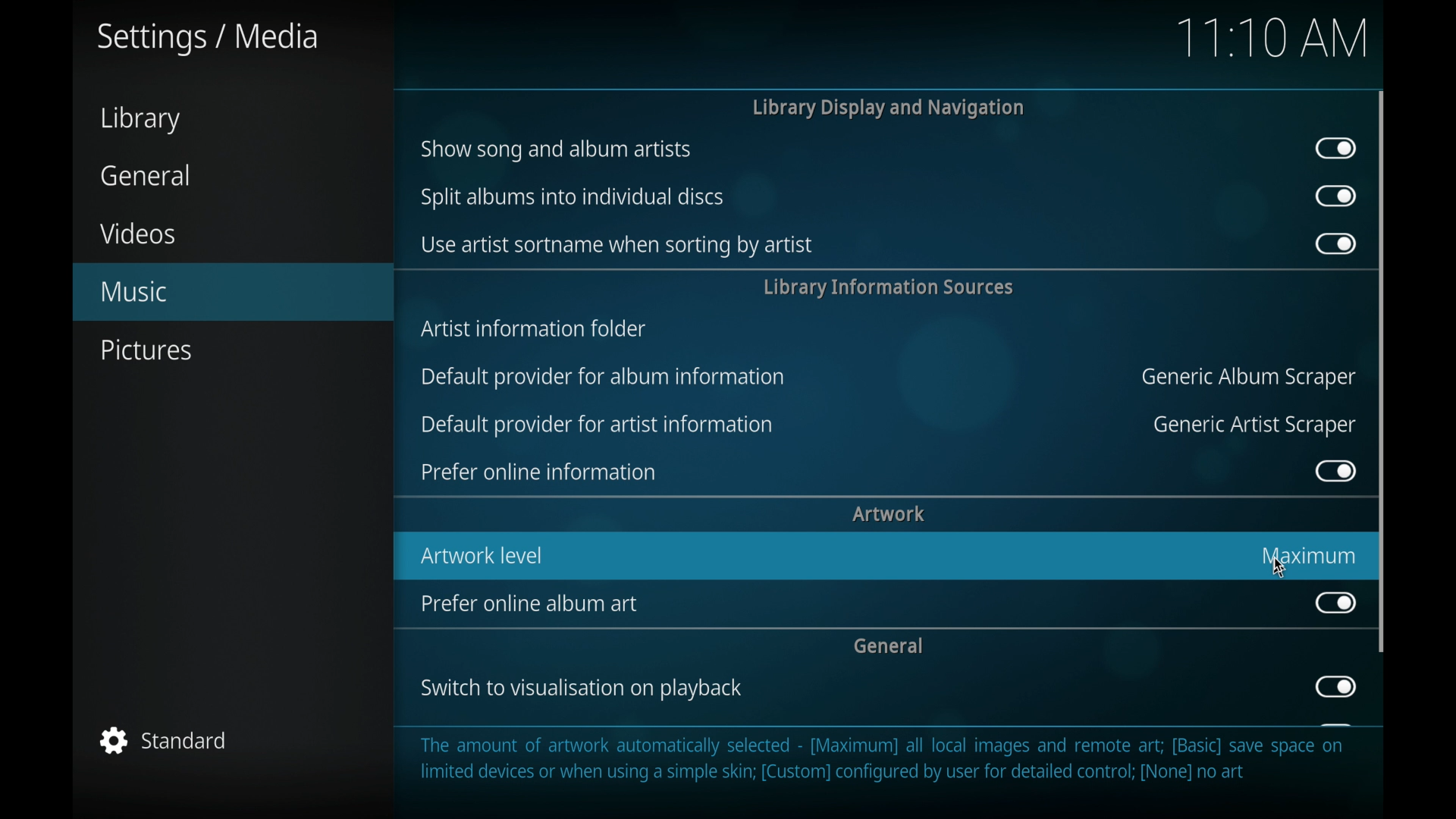  I want to click on prefer online album art, so click(529, 605).